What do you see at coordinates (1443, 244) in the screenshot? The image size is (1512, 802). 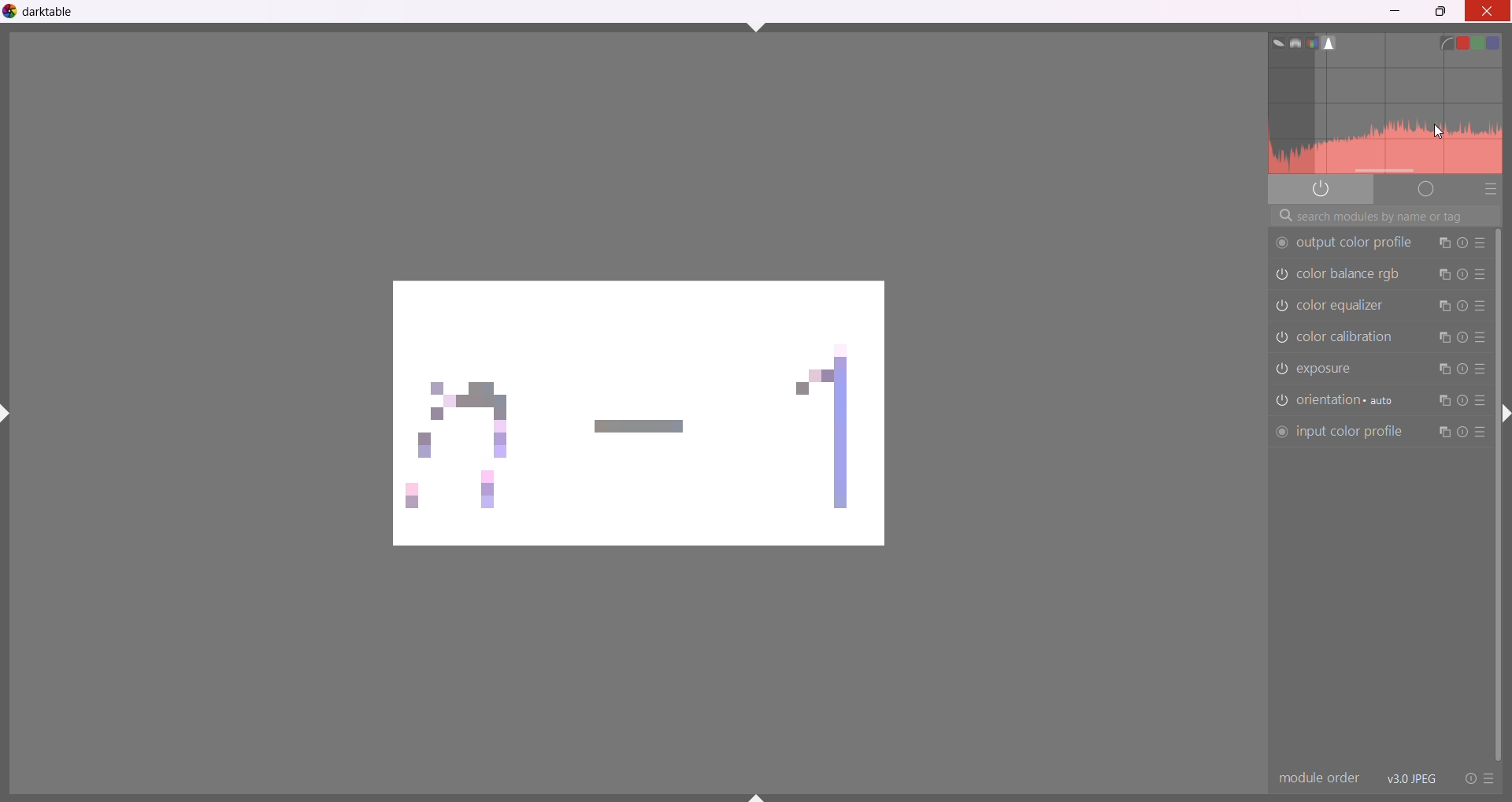 I see `instance` at bounding box center [1443, 244].